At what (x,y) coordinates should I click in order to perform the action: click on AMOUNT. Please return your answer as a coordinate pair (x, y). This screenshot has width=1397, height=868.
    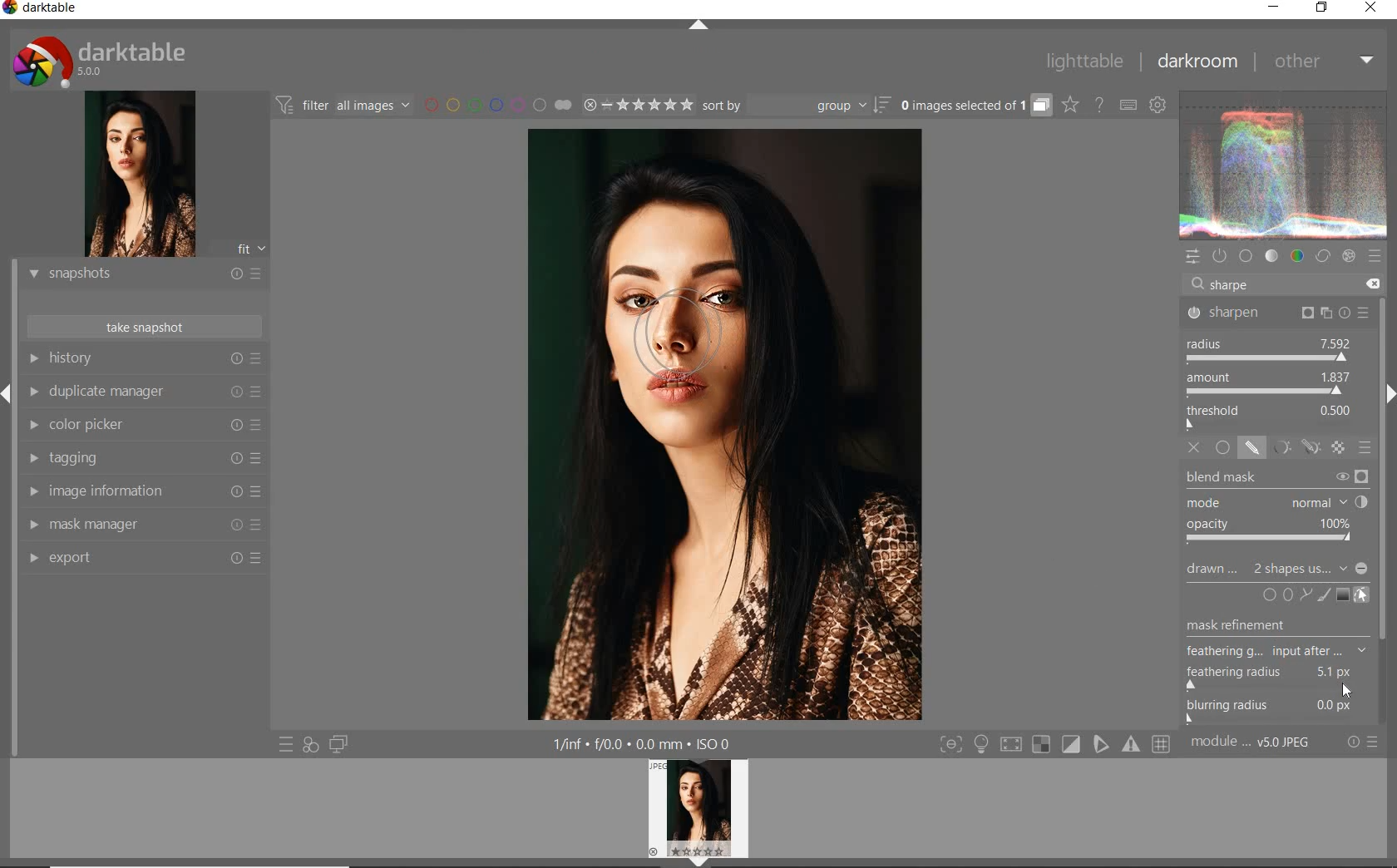
    Looking at the image, I should click on (1269, 383).